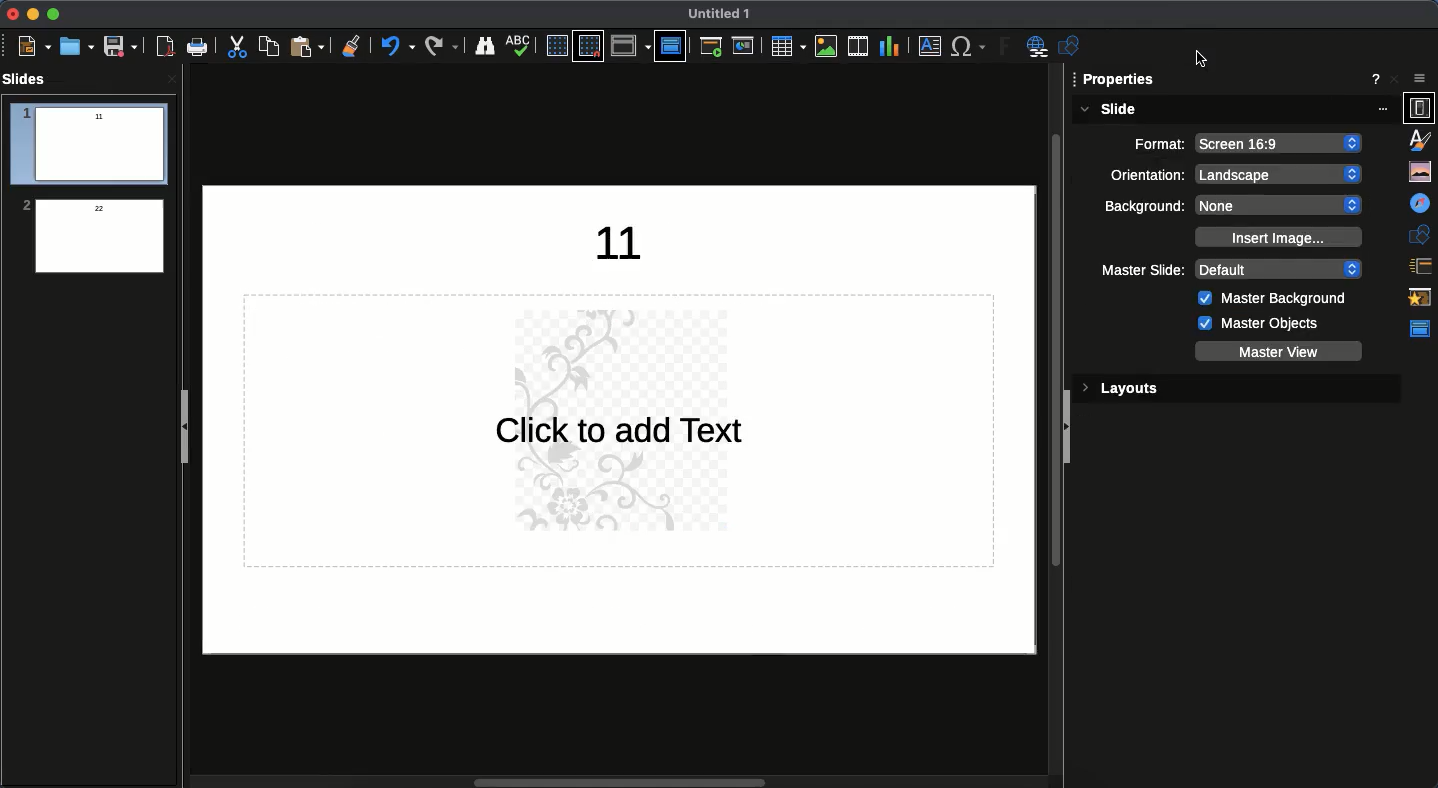 The height and width of the screenshot is (788, 1438). What do you see at coordinates (1419, 267) in the screenshot?
I see `Slide transition` at bounding box center [1419, 267].